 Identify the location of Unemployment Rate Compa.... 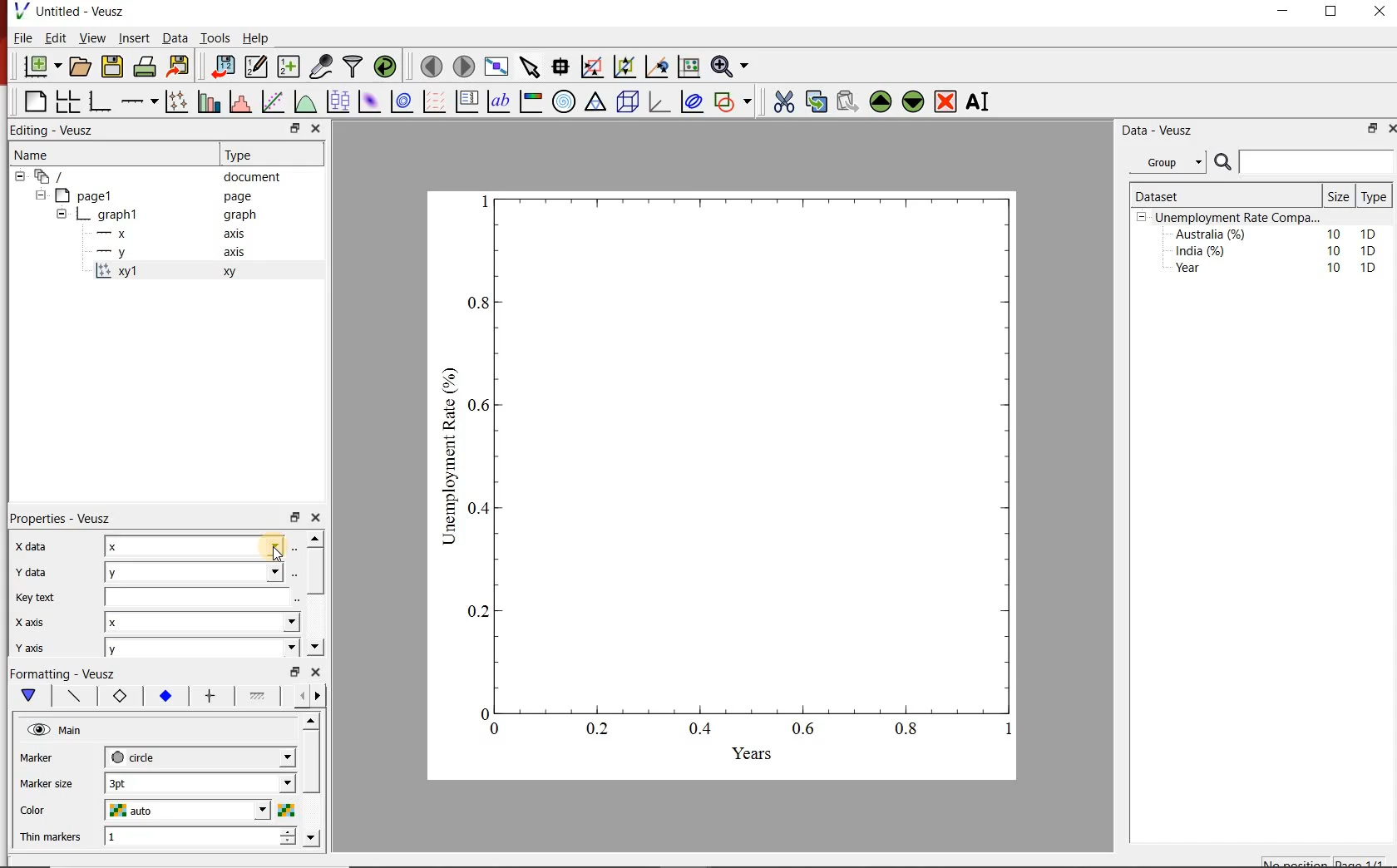
(1239, 218).